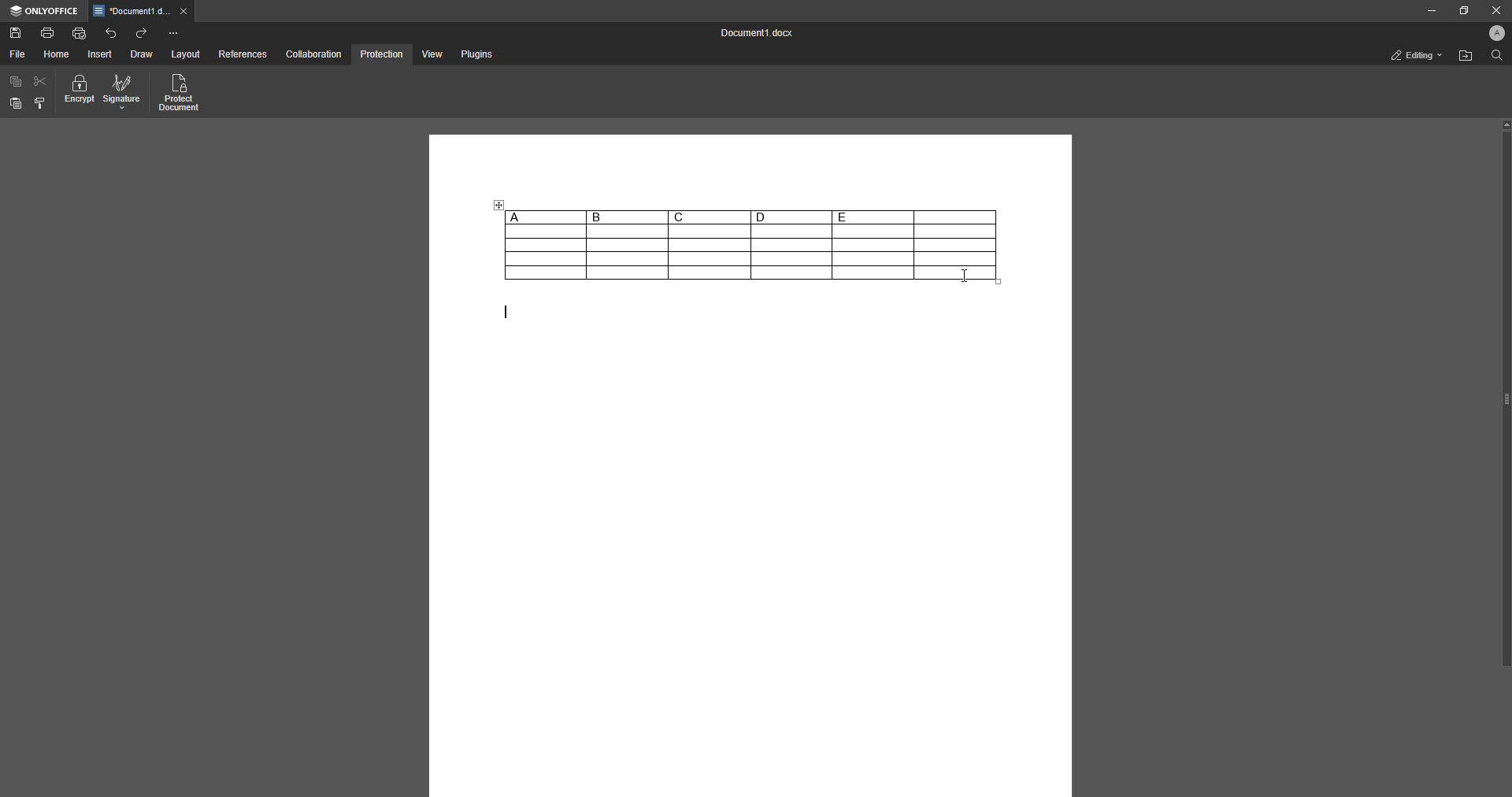 The image size is (1512, 797). What do you see at coordinates (16, 104) in the screenshot?
I see `Paste` at bounding box center [16, 104].